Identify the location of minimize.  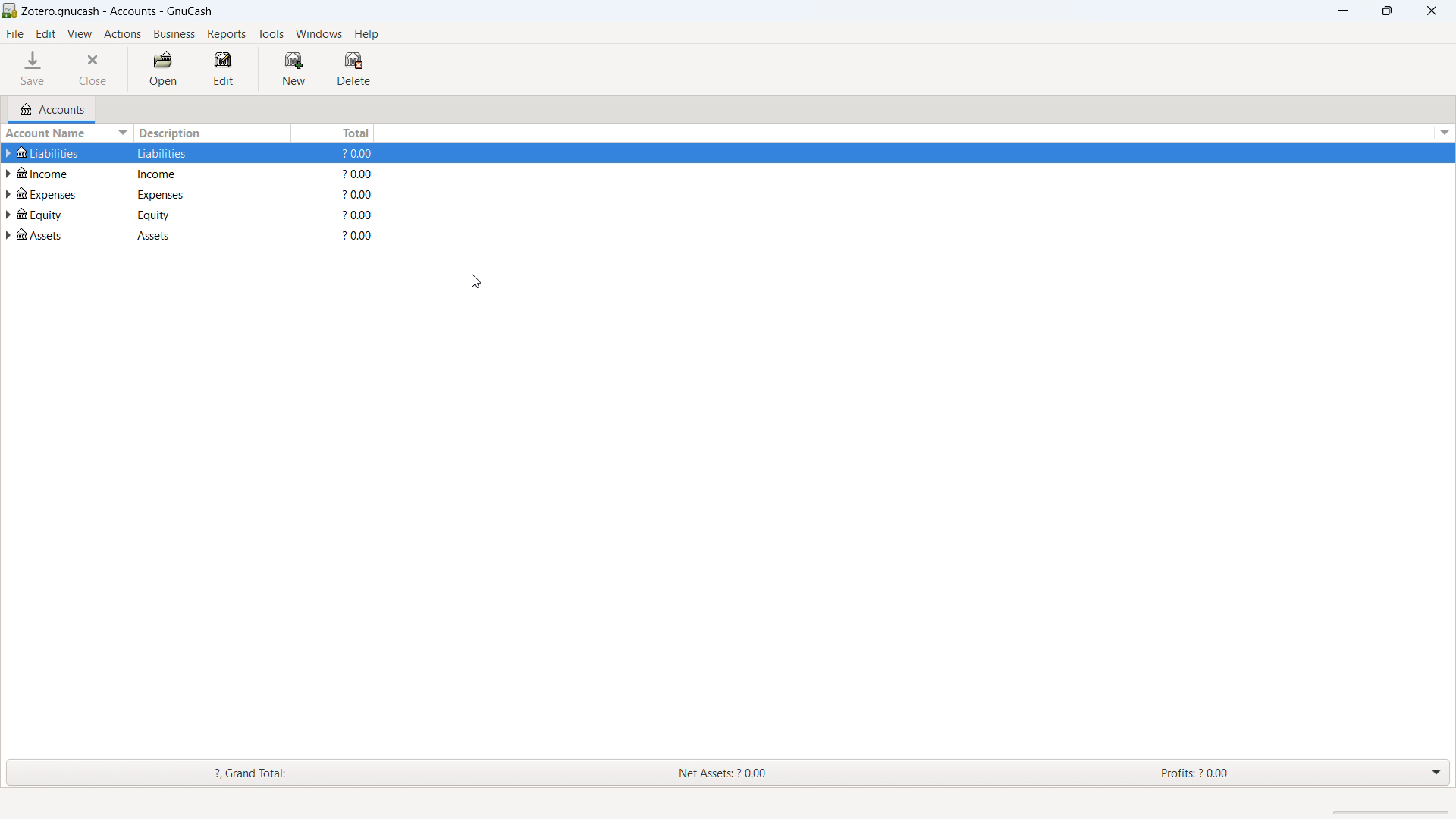
(1341, 10).